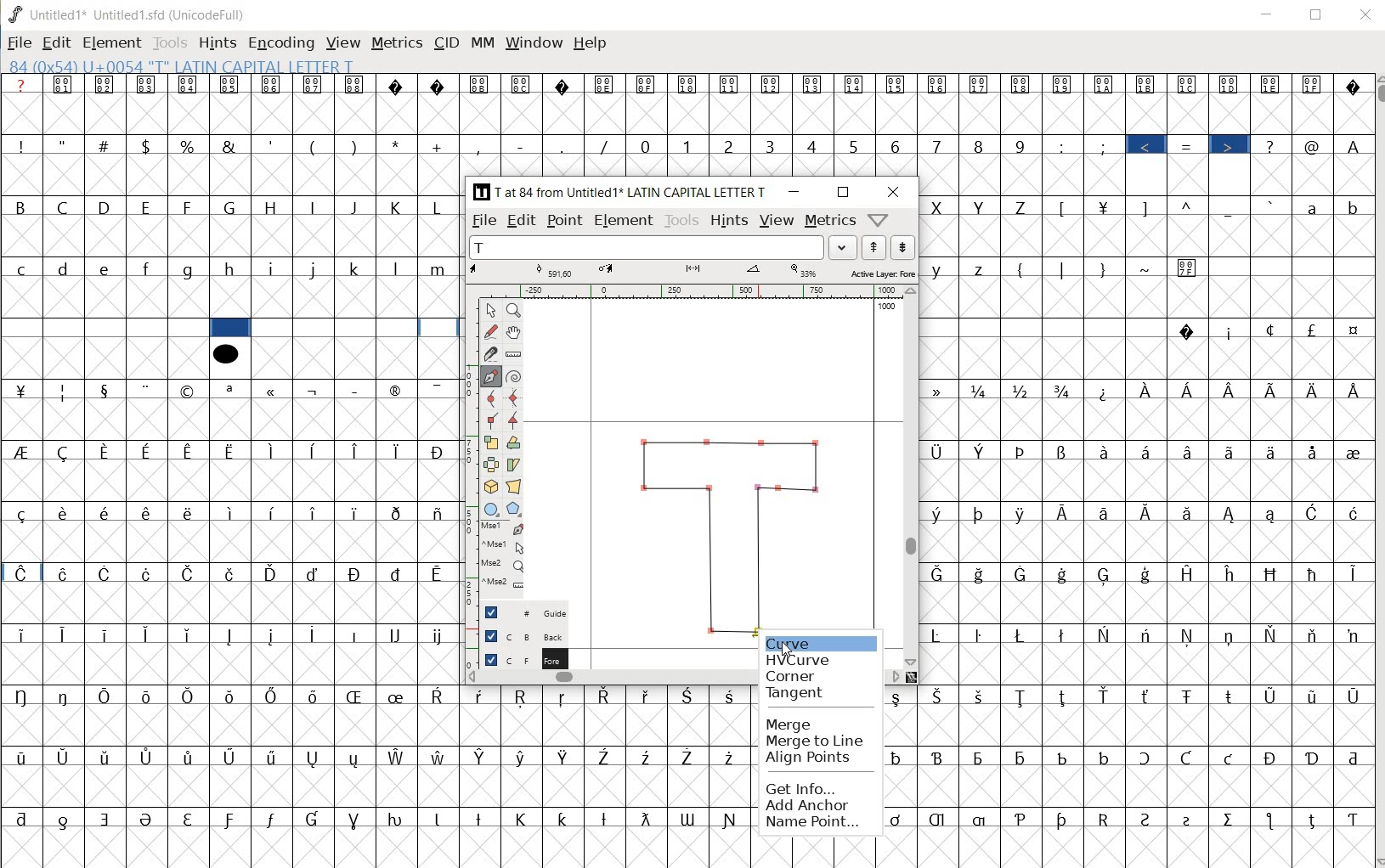 Image resolution: width=1385 pixels, height=868 pixels. I want to click on Symbol, so click(1270, 330).